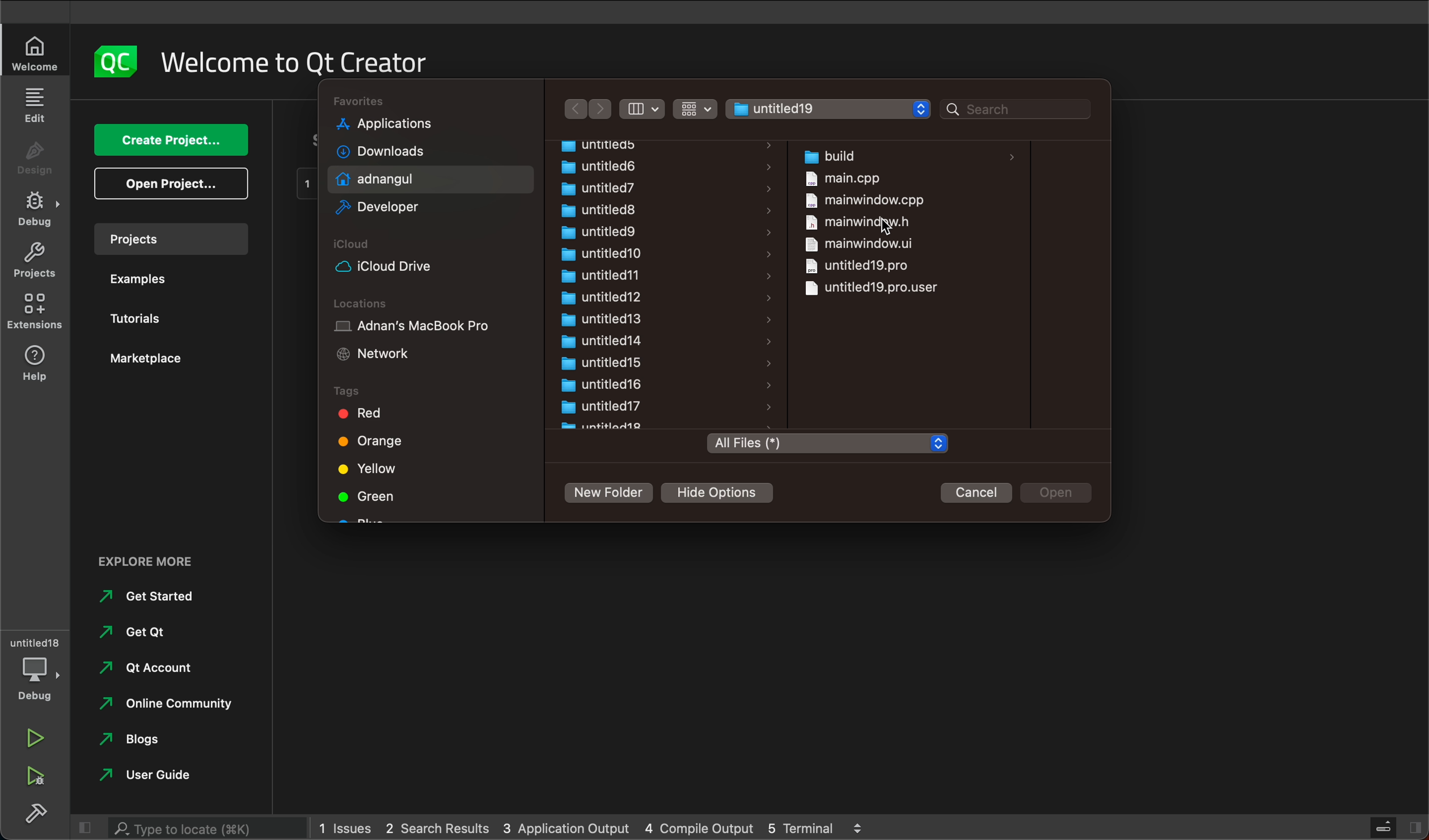  Describe the element at coordinates (911, 154) in the screenshot. I see `files and folders` at that location.